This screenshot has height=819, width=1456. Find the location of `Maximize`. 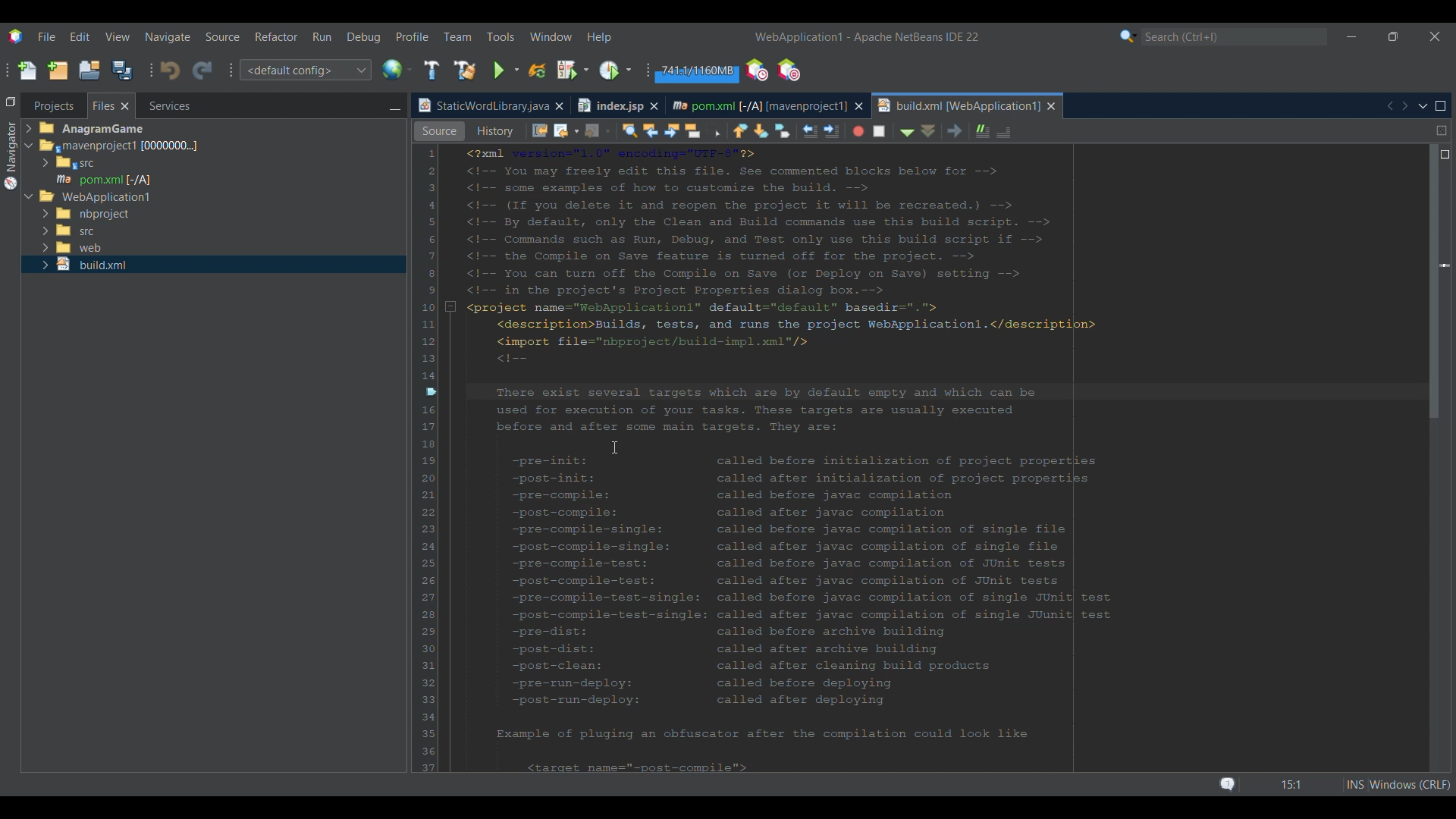

Maximize is located at coordinates (1441, 106).